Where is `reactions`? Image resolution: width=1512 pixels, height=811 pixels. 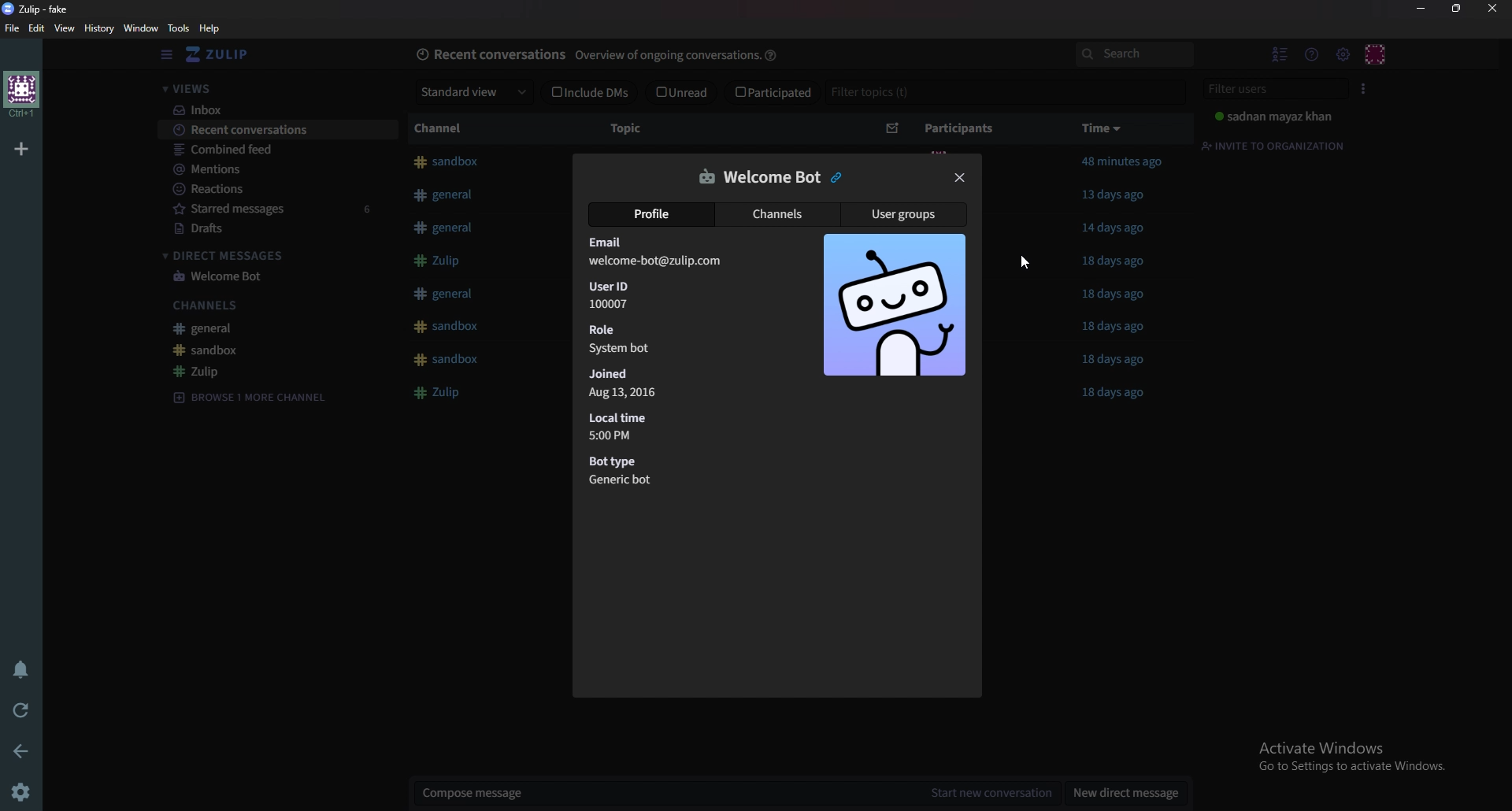 reactions is located at coordinates (275, 191).